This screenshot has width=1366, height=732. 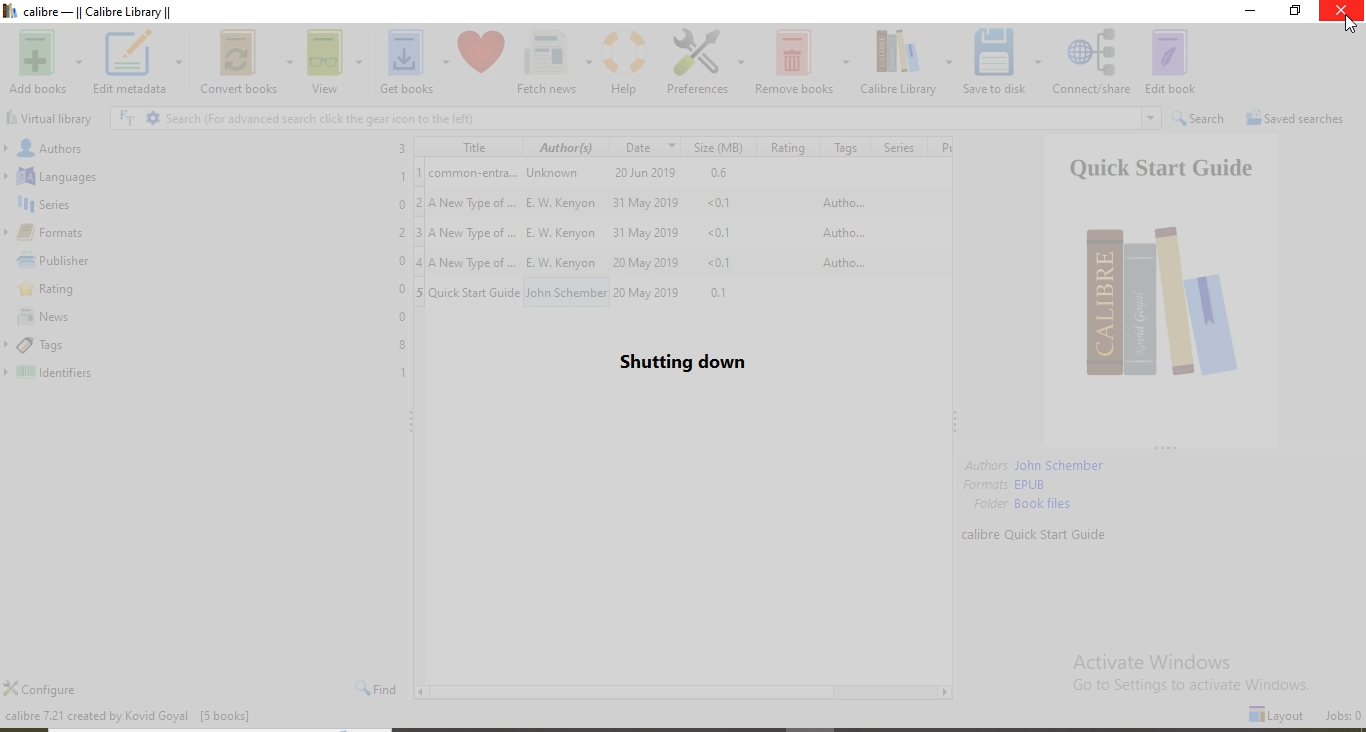 What do you see at coordinates (1343, 716) in the screenshot?
I see `Jobs: 0` at bounding box center [1343, 716].